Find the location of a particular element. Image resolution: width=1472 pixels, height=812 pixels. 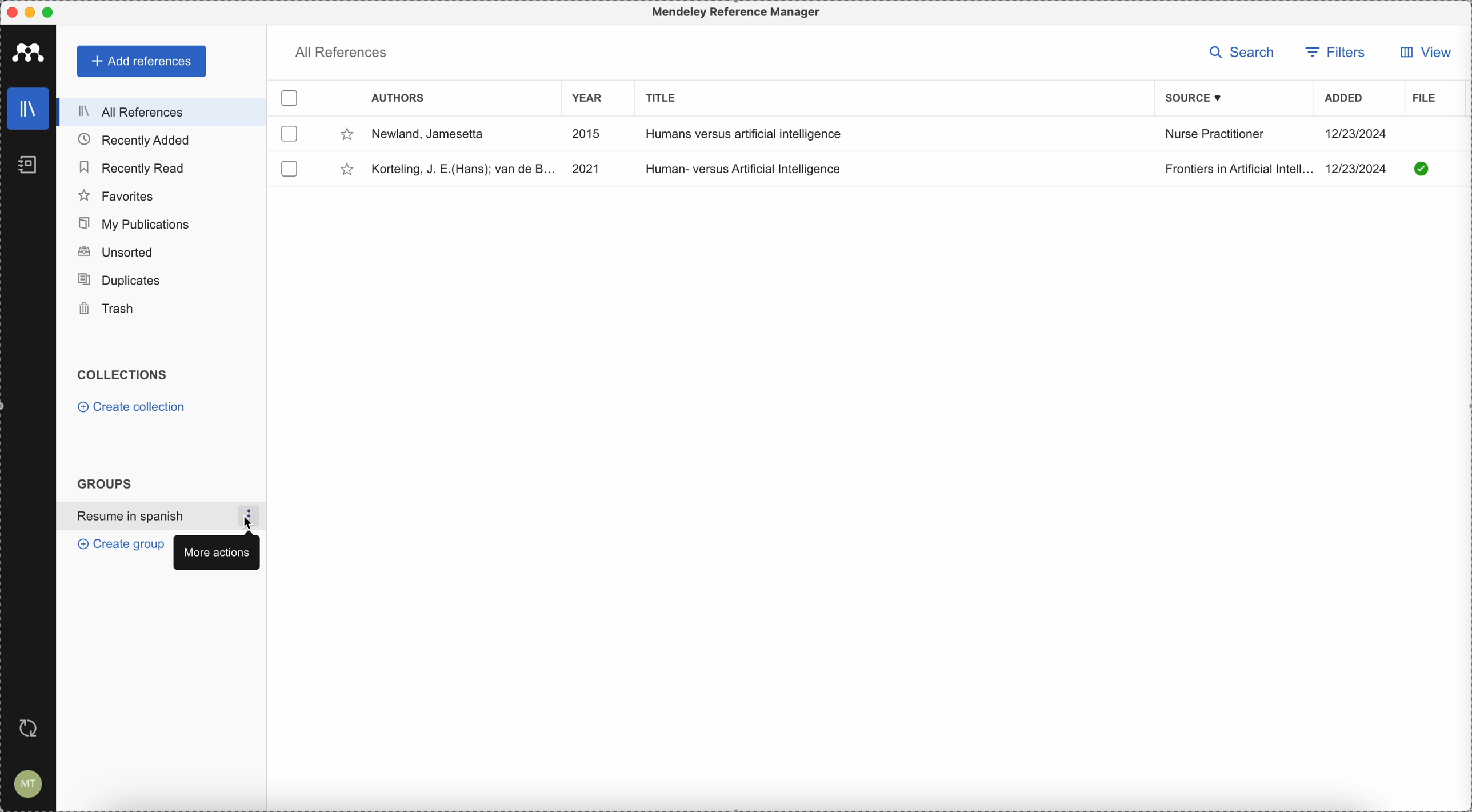

unsorted is located at coordinates (116, 251).